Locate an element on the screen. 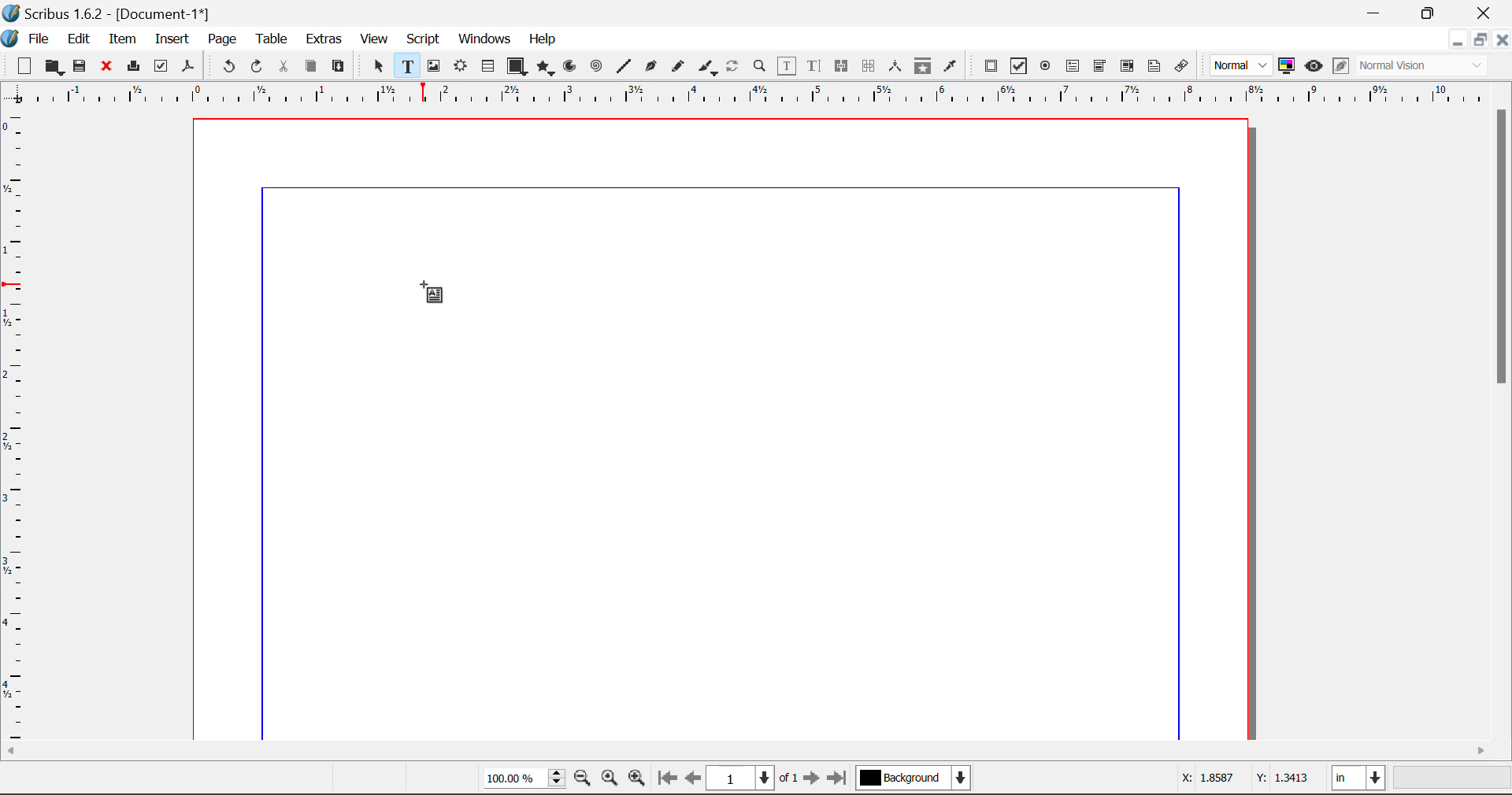  Arc is located at coordinates (571, 68).